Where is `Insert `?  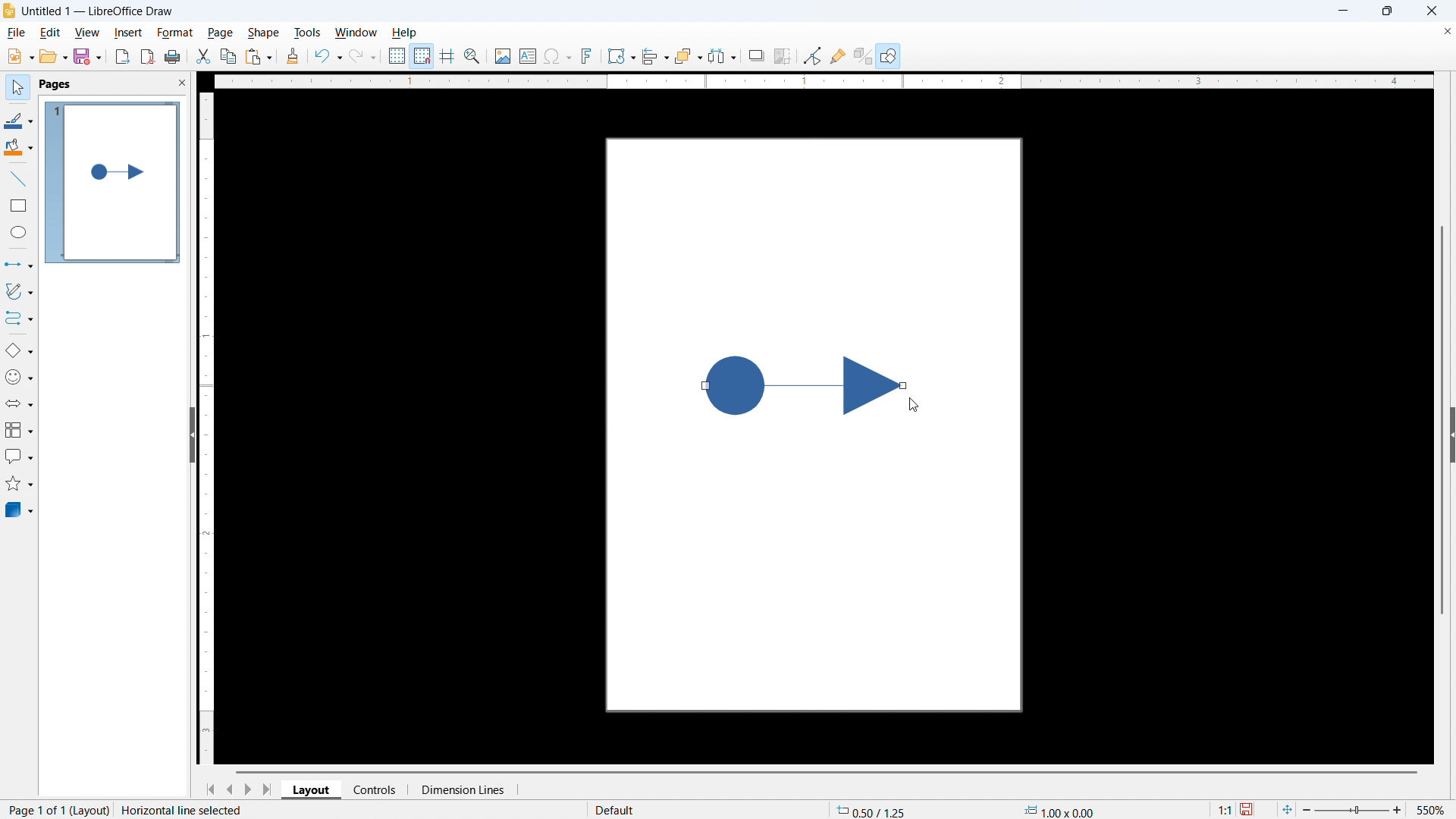 Insert  is located at coordinates (127, 32).